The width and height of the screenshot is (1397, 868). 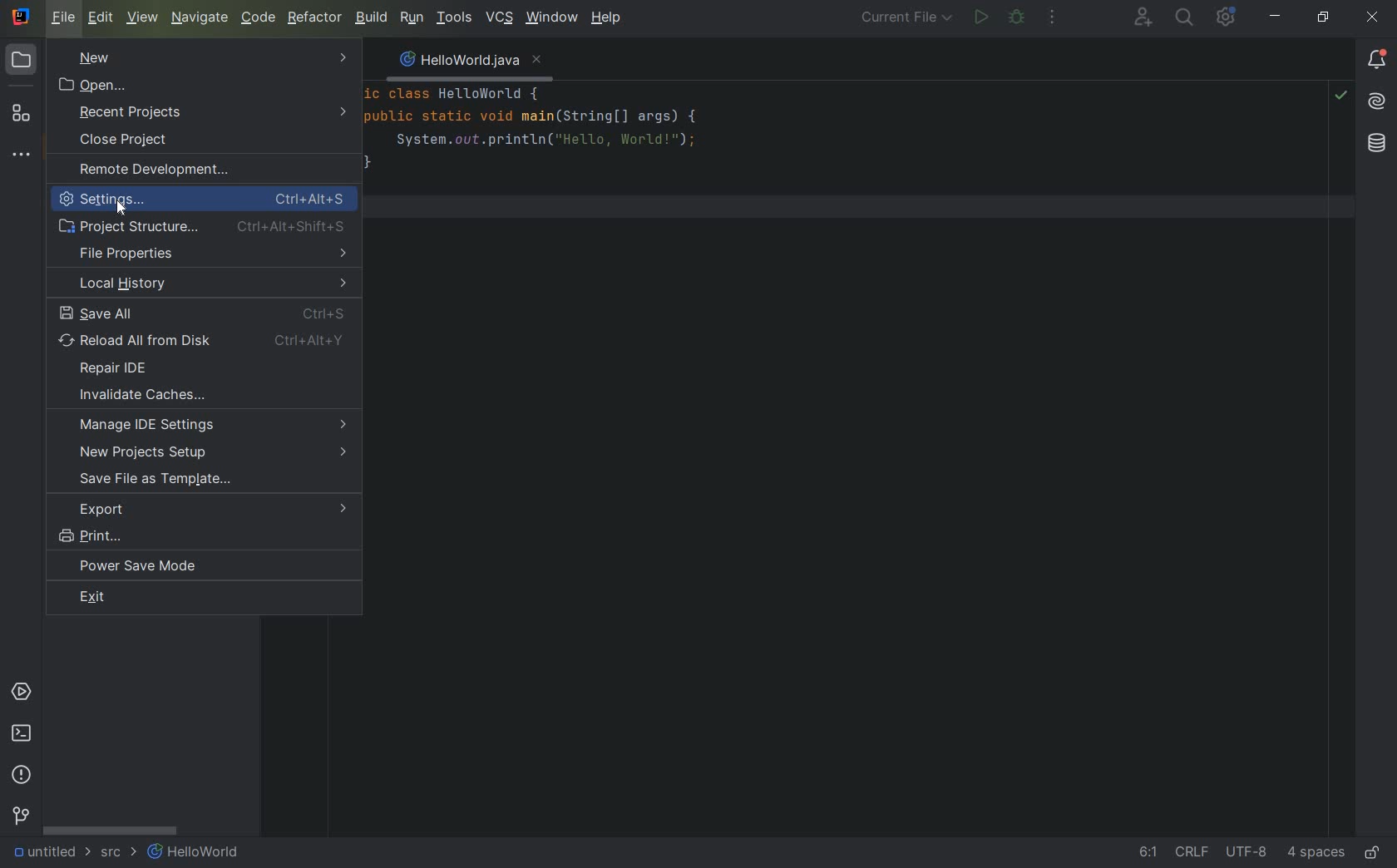 What do you see at coordinates (21, 113) in the screenshot?
I see `STRUCTURE` at bounding box center [21, 113].